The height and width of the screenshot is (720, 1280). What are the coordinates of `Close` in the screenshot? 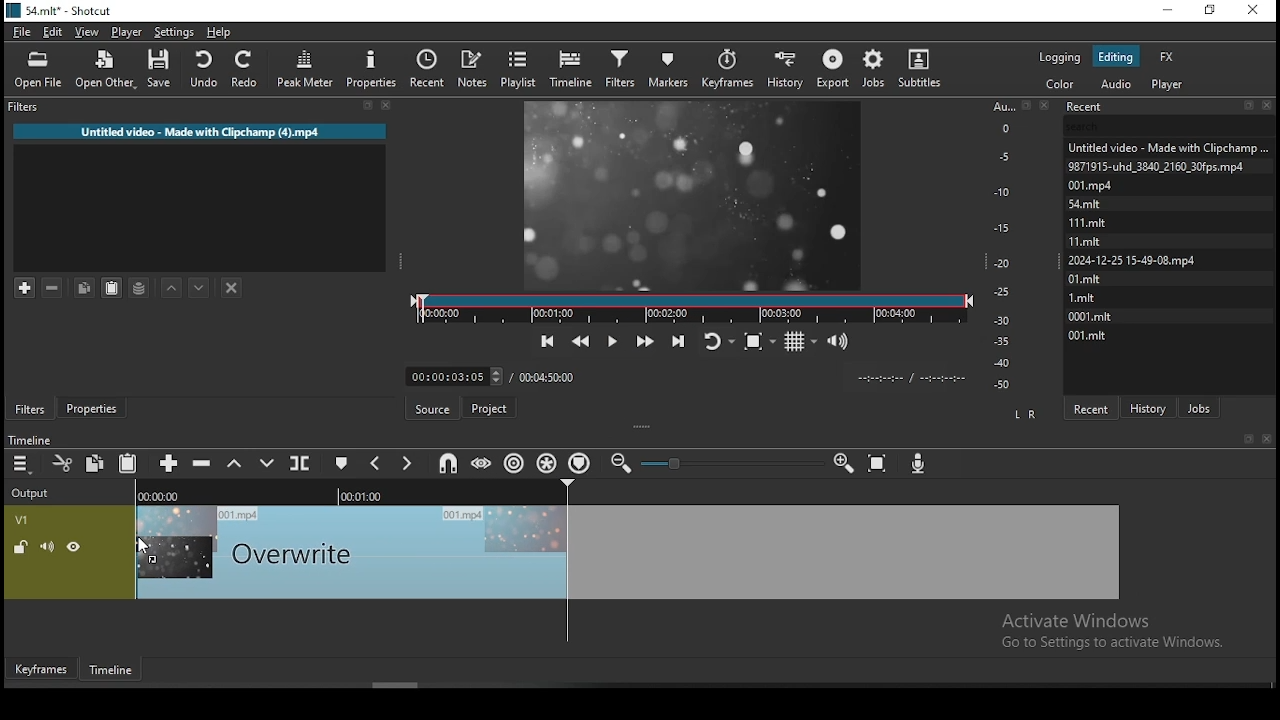 It's located at (1048, 104).